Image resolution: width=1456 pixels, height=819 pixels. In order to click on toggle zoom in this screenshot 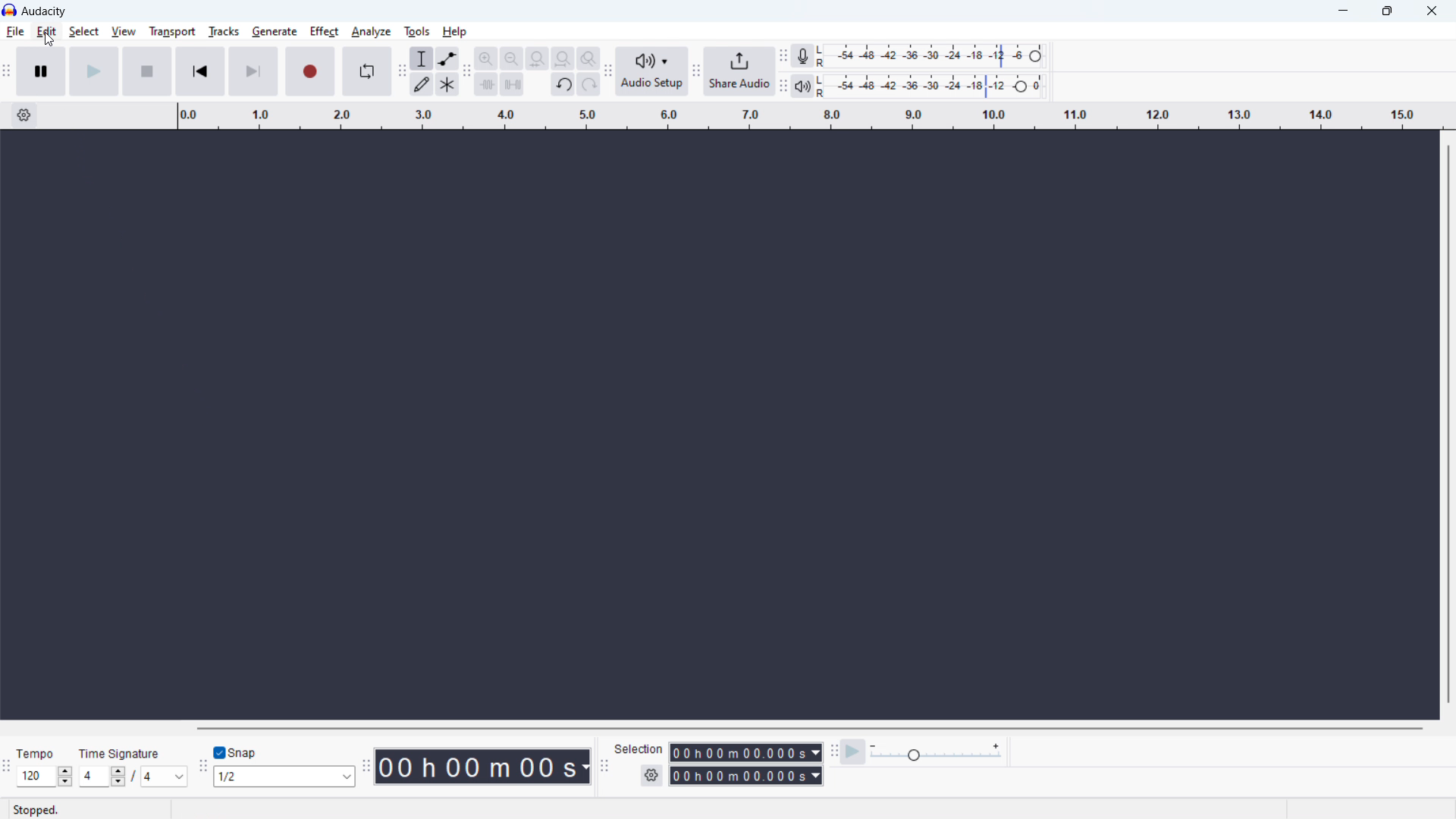, I will do `click(588, 58)`.